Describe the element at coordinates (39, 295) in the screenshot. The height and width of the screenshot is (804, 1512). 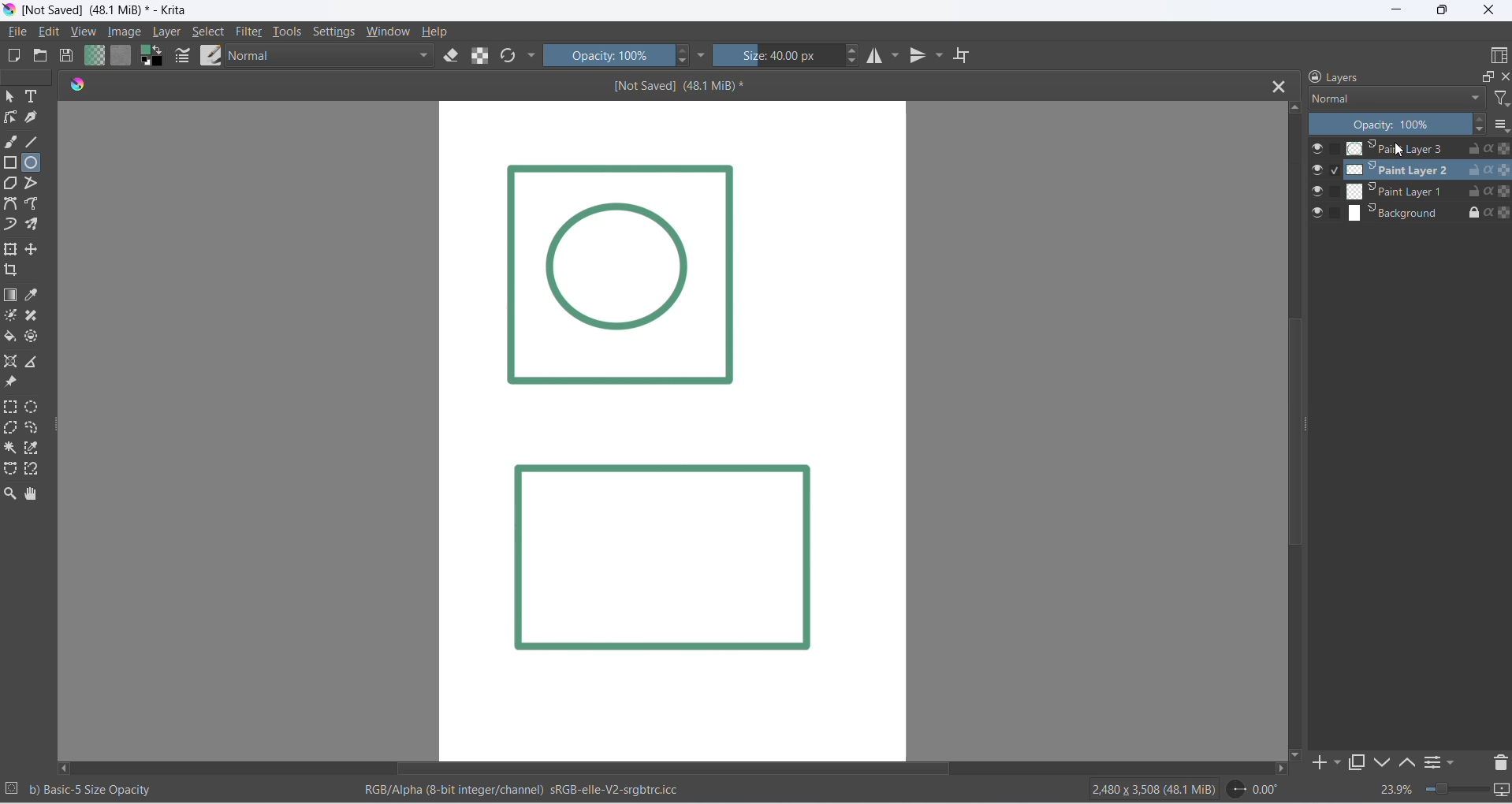
I see `sample a color` at that location.